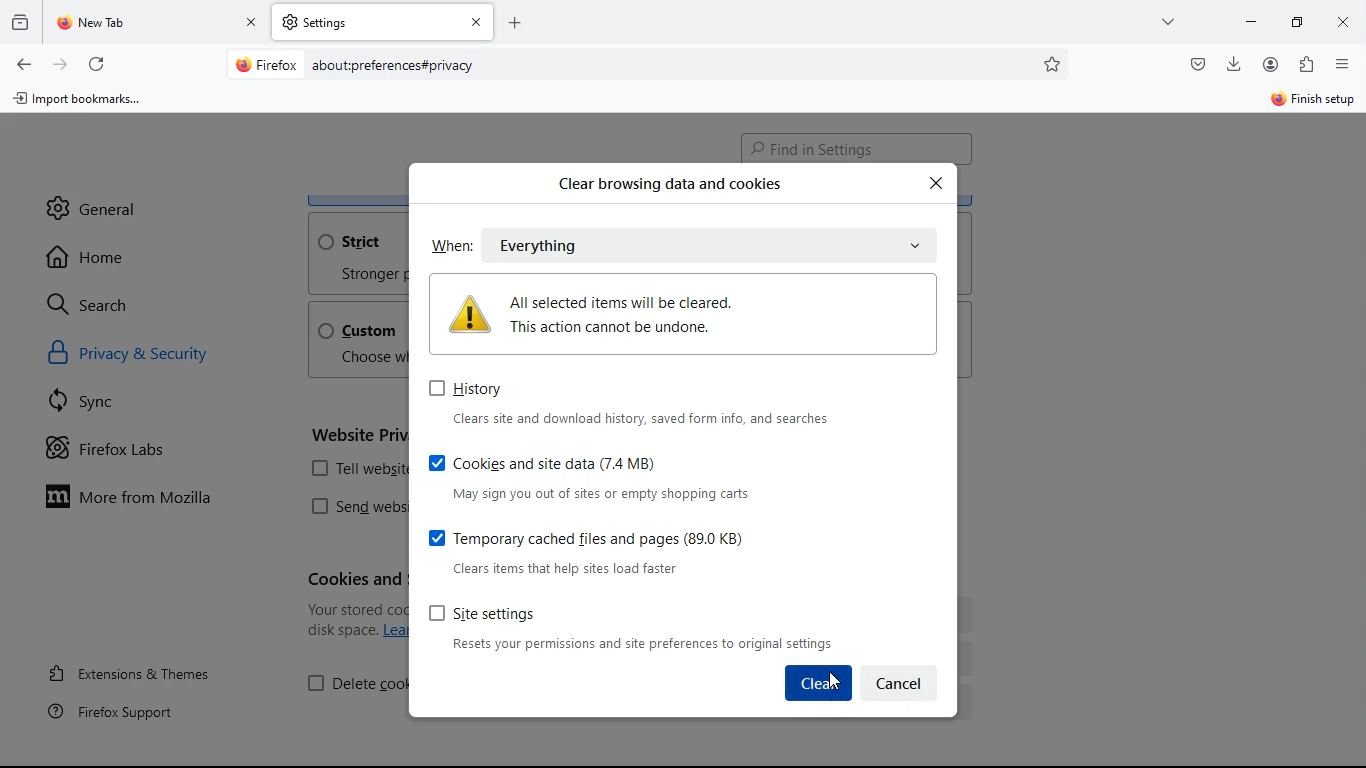  I want to click on preferences, so click(1054, 64).